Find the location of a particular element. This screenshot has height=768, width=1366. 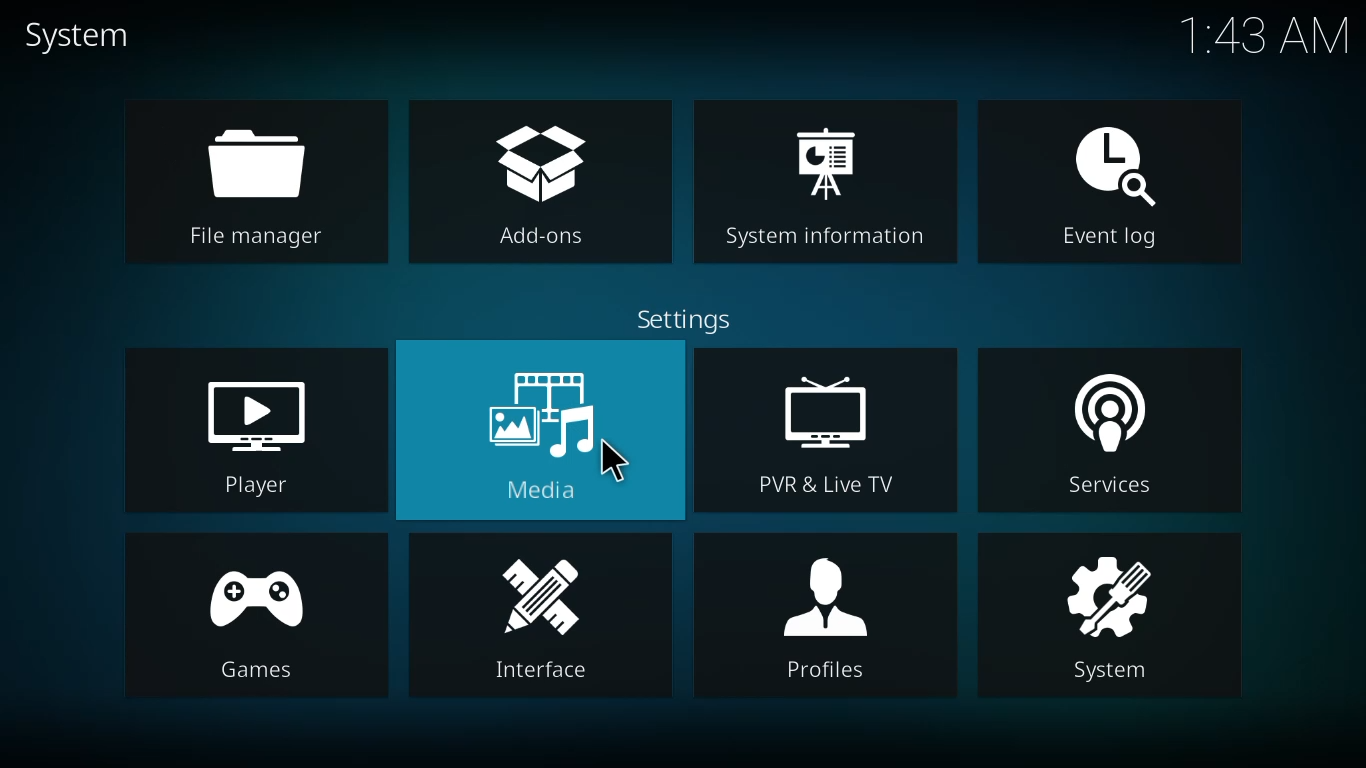

system is located at coordinates (81, 35).